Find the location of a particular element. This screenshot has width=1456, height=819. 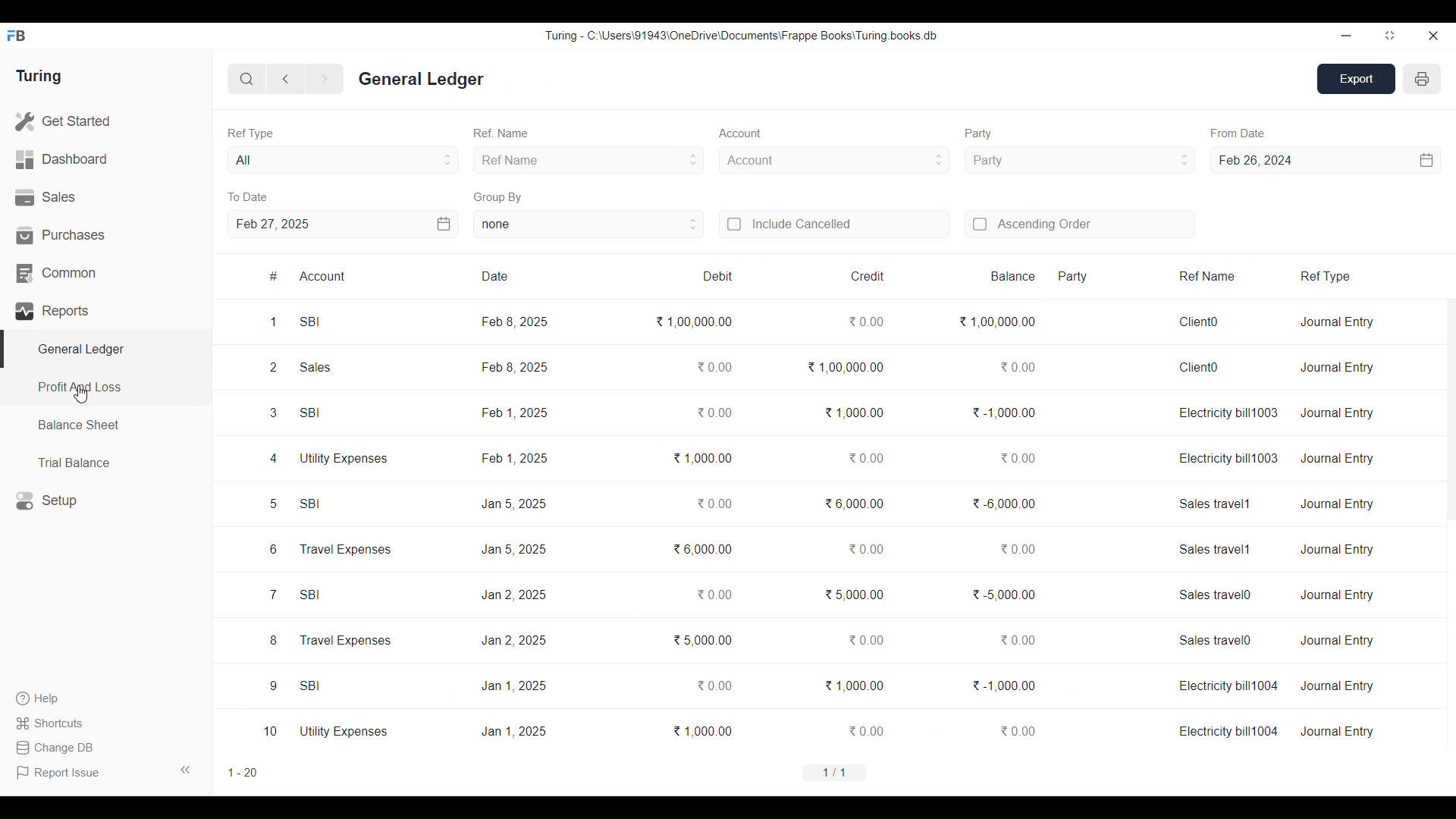

Journal Entry is located at coordinates (1336, 595).